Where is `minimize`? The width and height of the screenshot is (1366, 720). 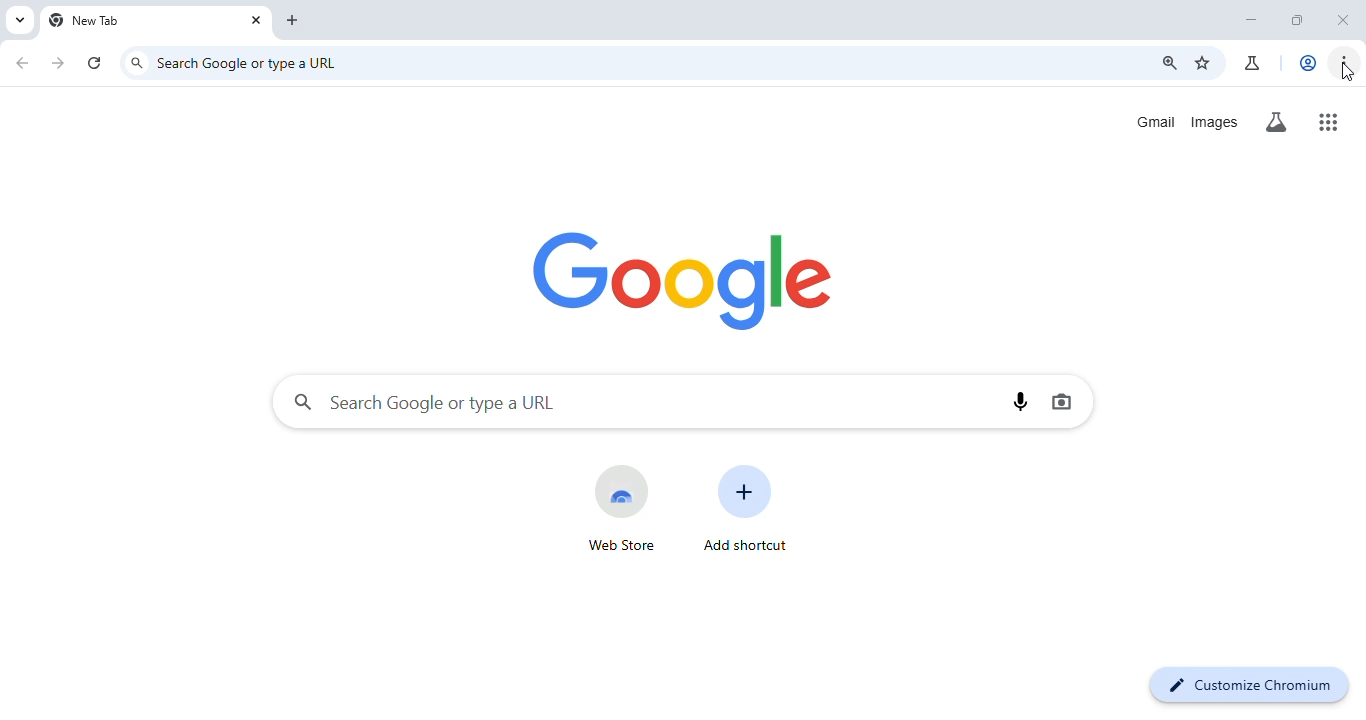 minimize is located at coordinates (1250, 20).